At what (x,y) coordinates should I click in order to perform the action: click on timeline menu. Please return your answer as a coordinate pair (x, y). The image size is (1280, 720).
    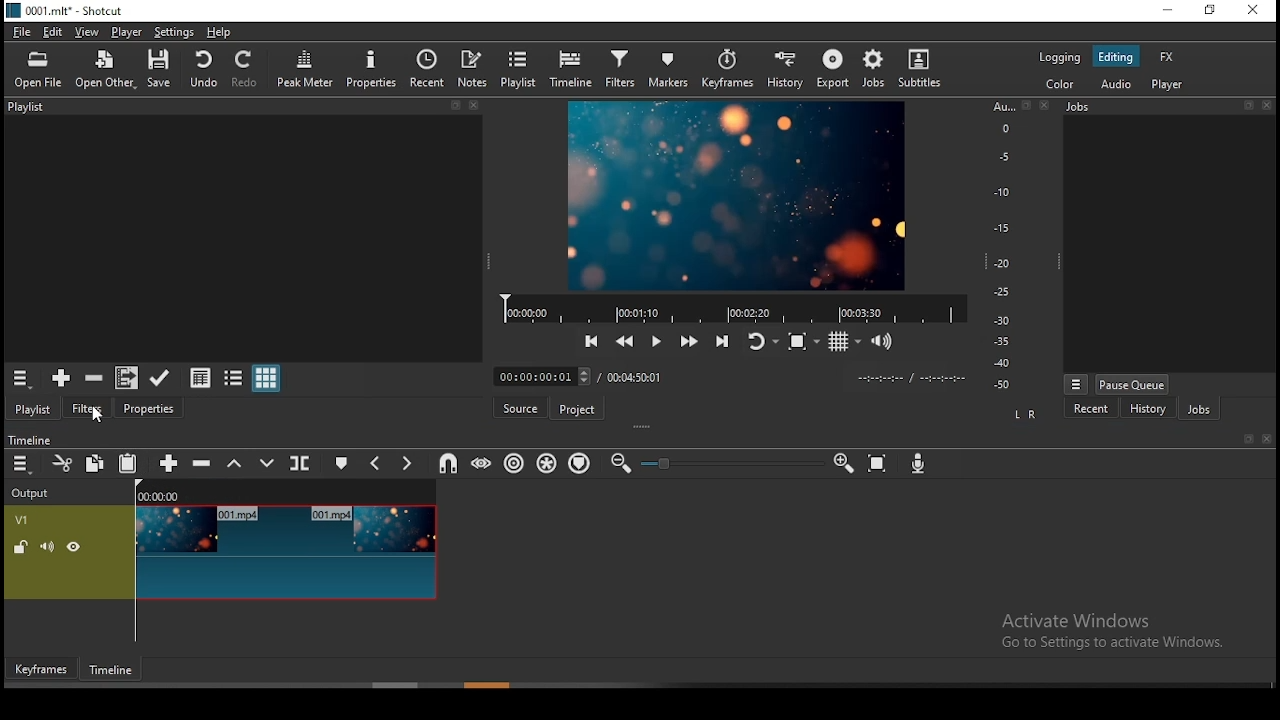
    Looking at the image, I should click on (22, 463).